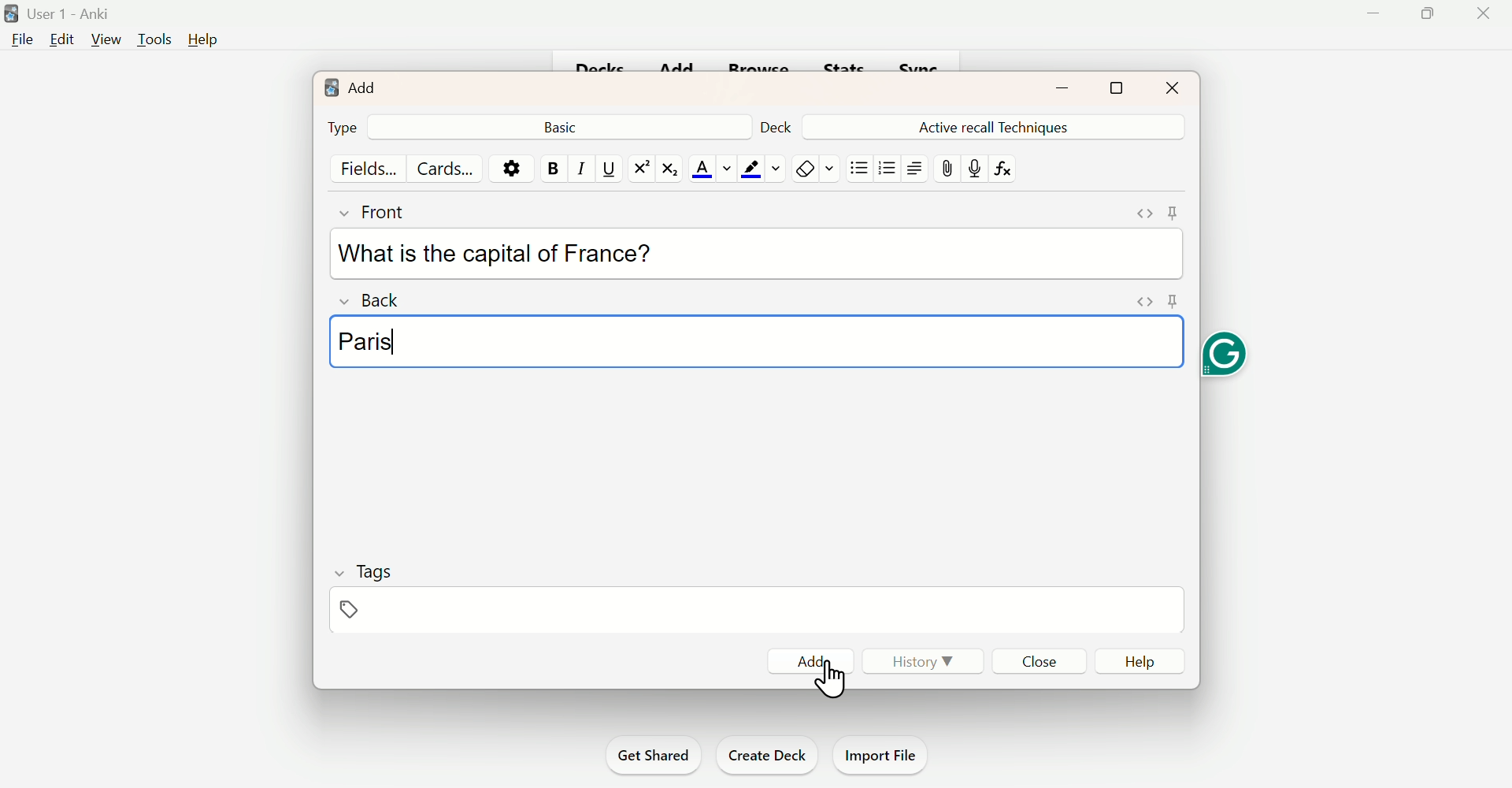 The height and width of the screenshot is (788, 1512). What do you see at coordinates (490, 251) in the screenshot?
I see `What is the capital of France?` at bounding box center [490, 251].